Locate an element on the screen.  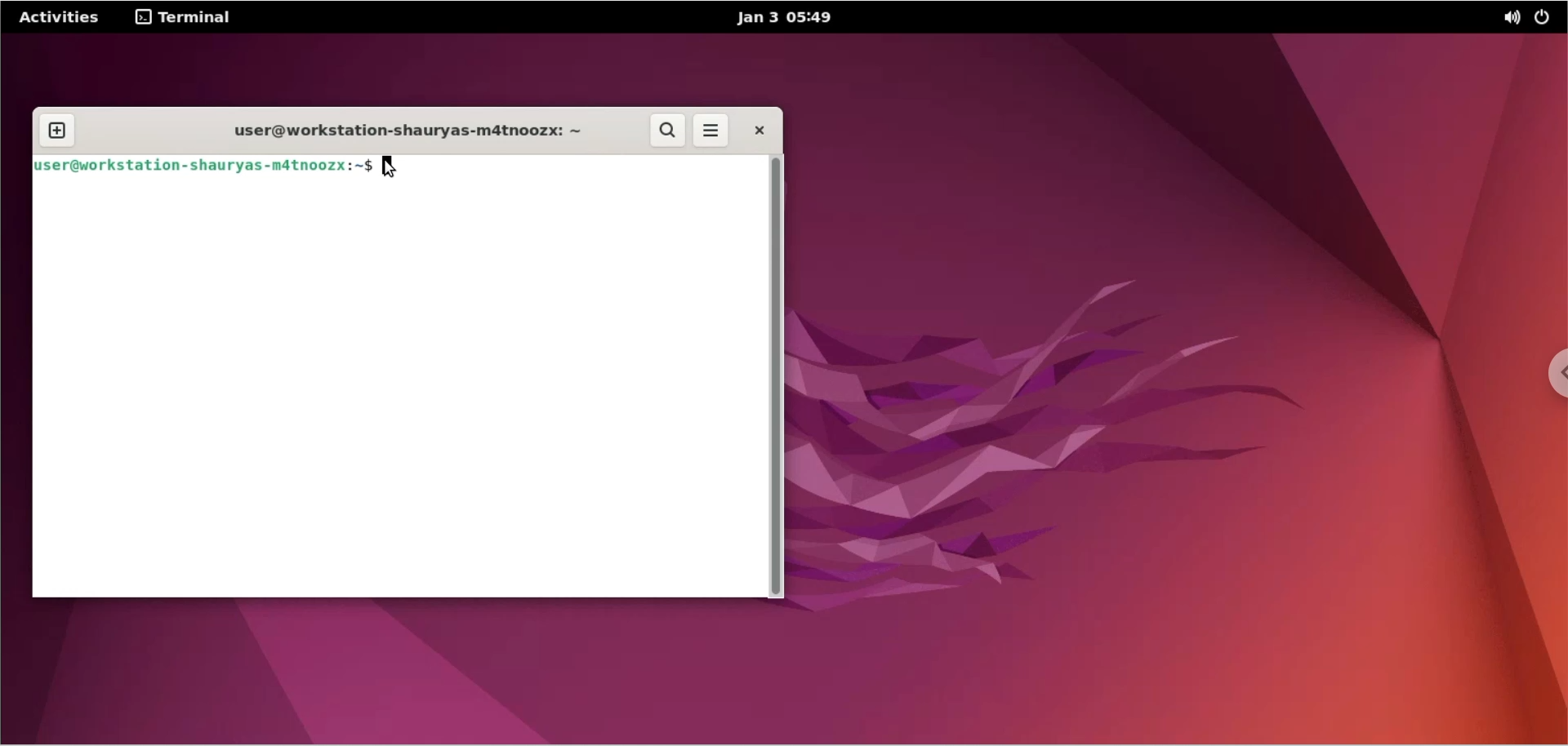
Activities is located at coordinates (60, 18).